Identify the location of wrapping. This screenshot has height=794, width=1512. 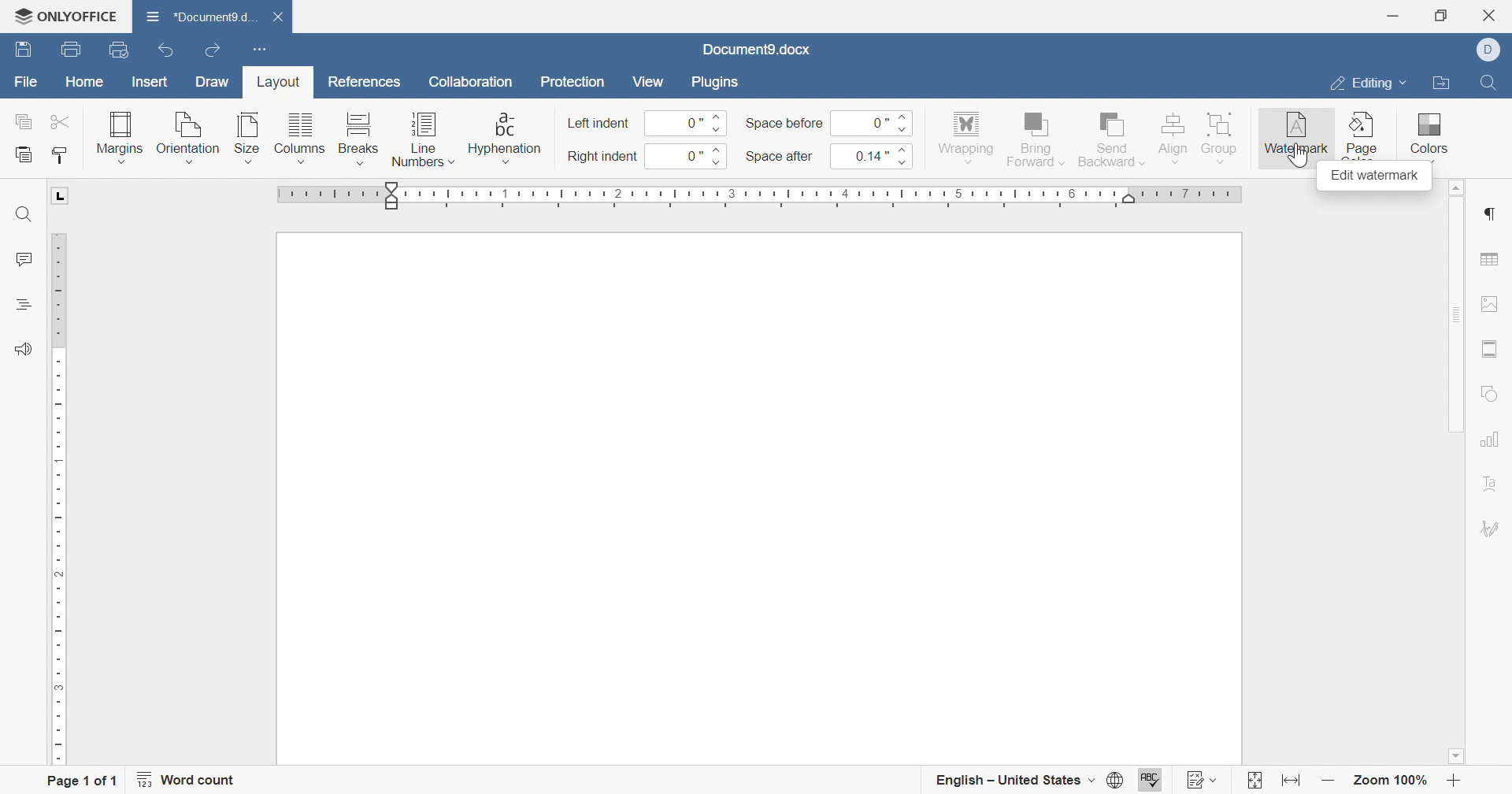
(965, 139).